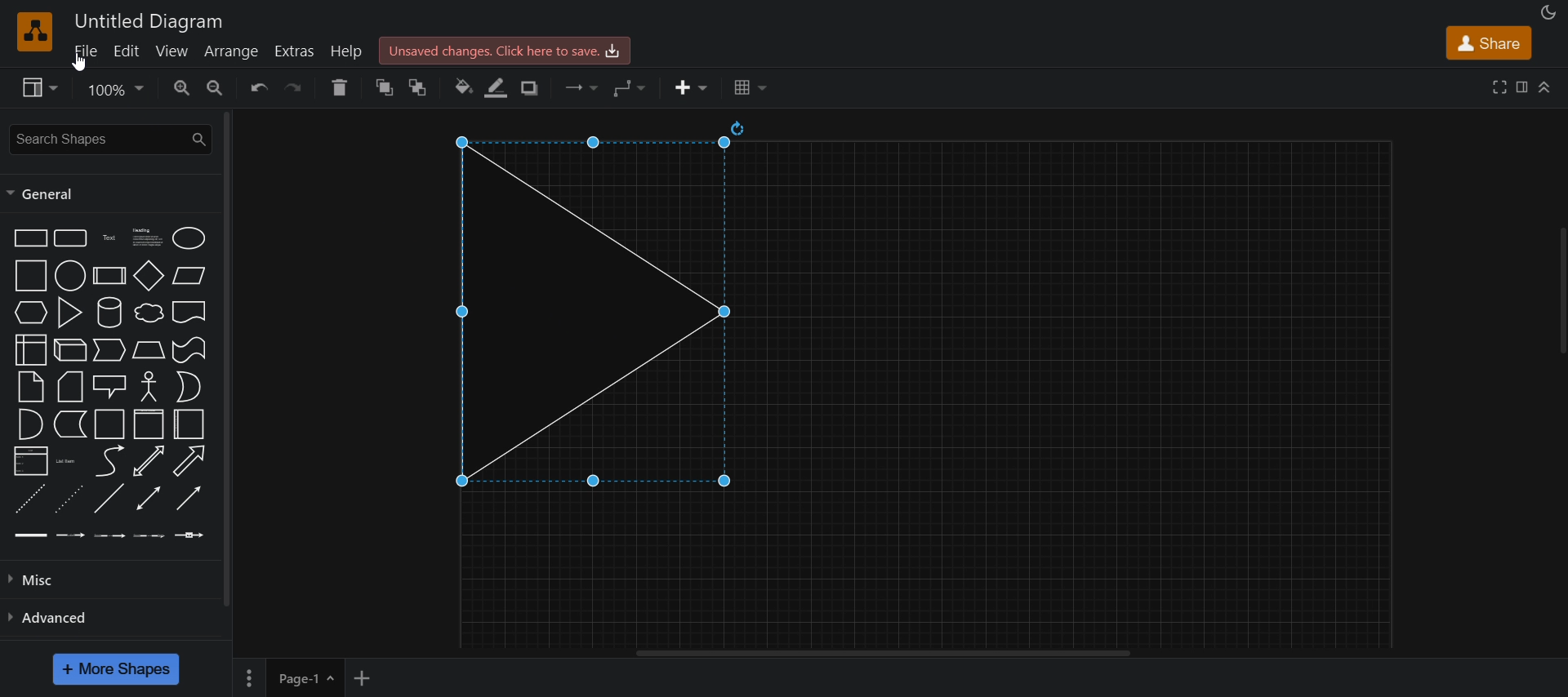  What do you see at coordinates (187, 273) in the screenshot?
I see `paralleogram` at bounding box center [187, 273].